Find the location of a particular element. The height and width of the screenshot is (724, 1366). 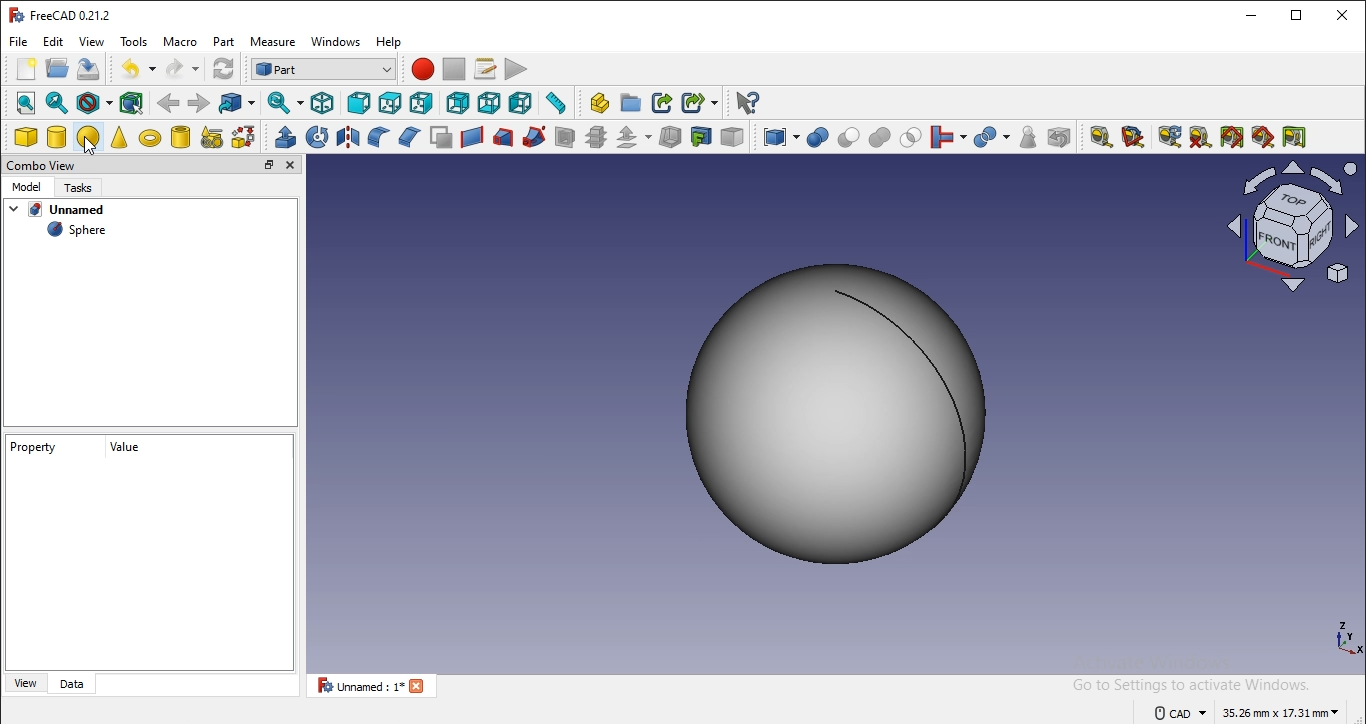

measure is located at coordinates (275, 42).